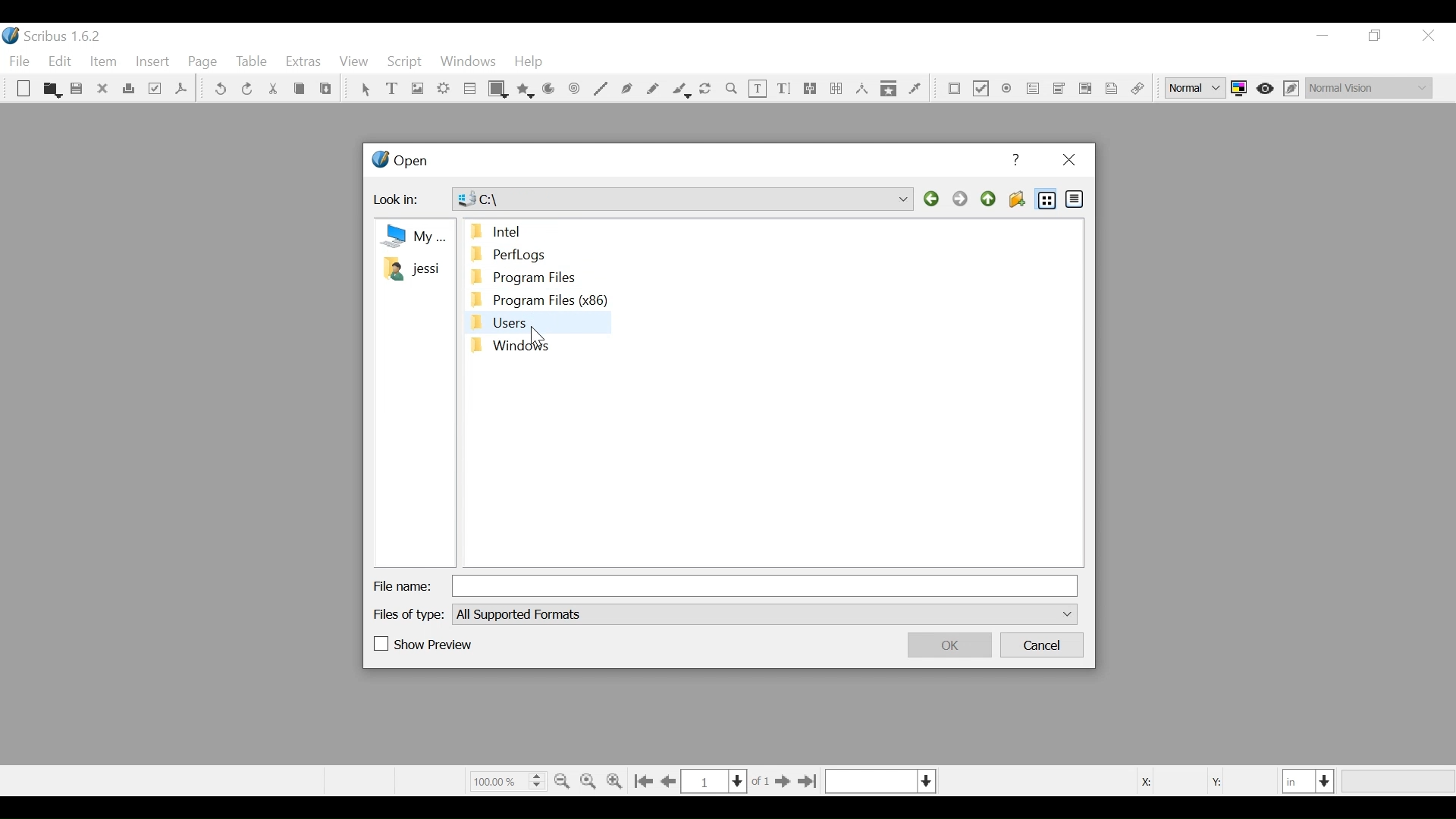  I want to click on Redo, so click(246, 88).